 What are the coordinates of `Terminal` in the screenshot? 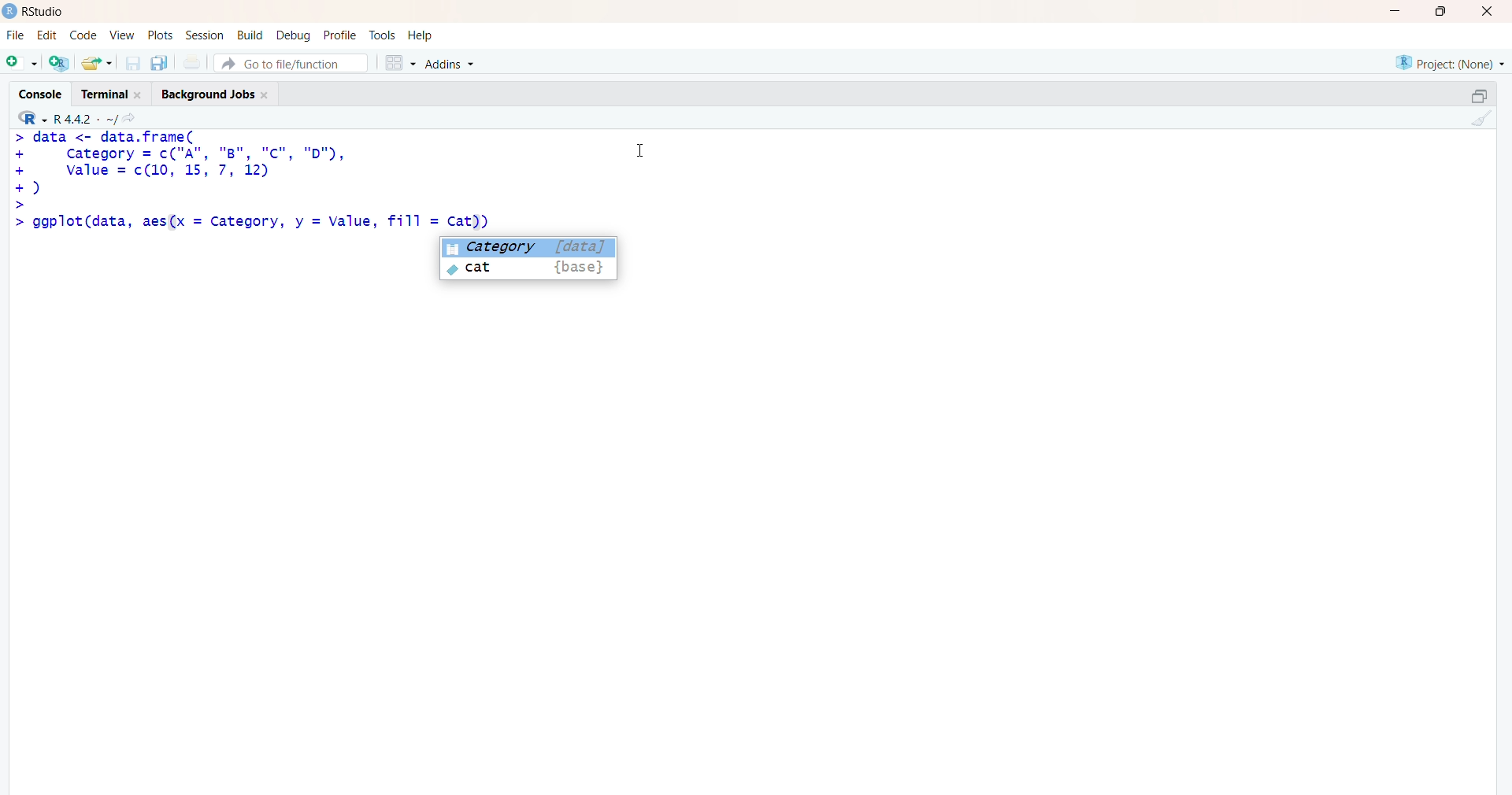 It's located at (109, 92).